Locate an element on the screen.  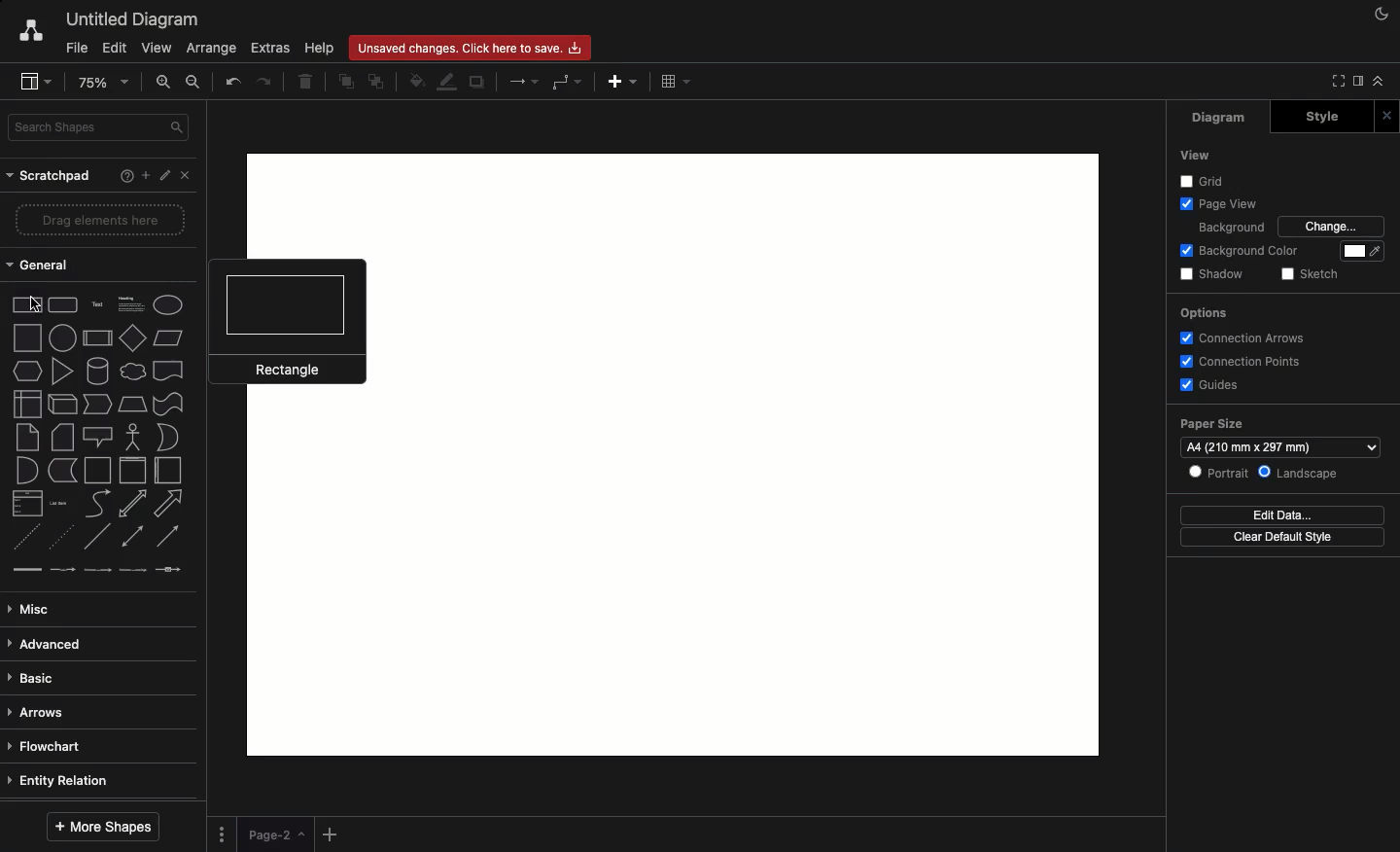
Edit is located at coordinates (113, 49).